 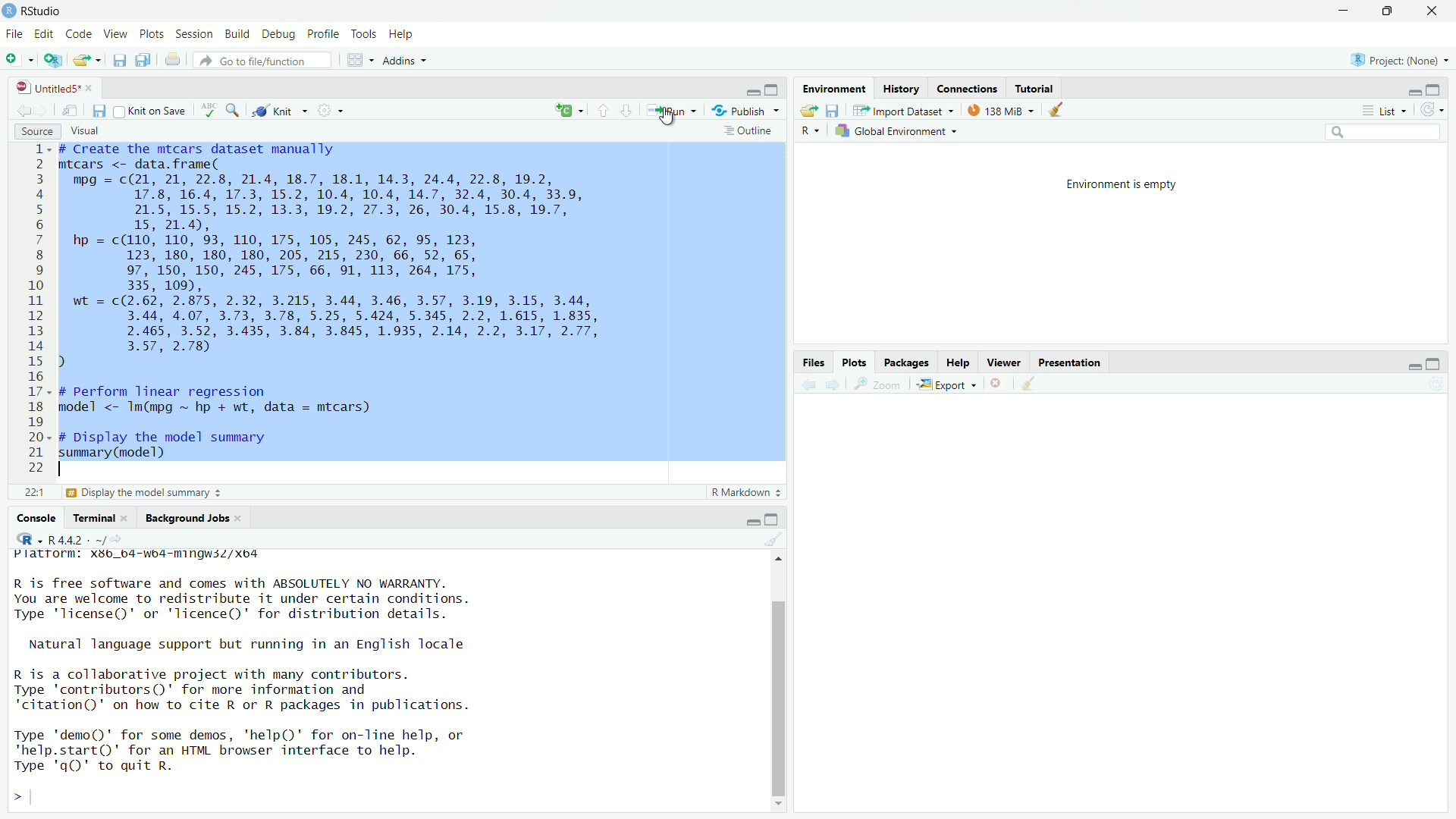 What do you see at coordinates (1434, 110) in the screenshot?
I see `refresh` at bounding box center [1434, 110].